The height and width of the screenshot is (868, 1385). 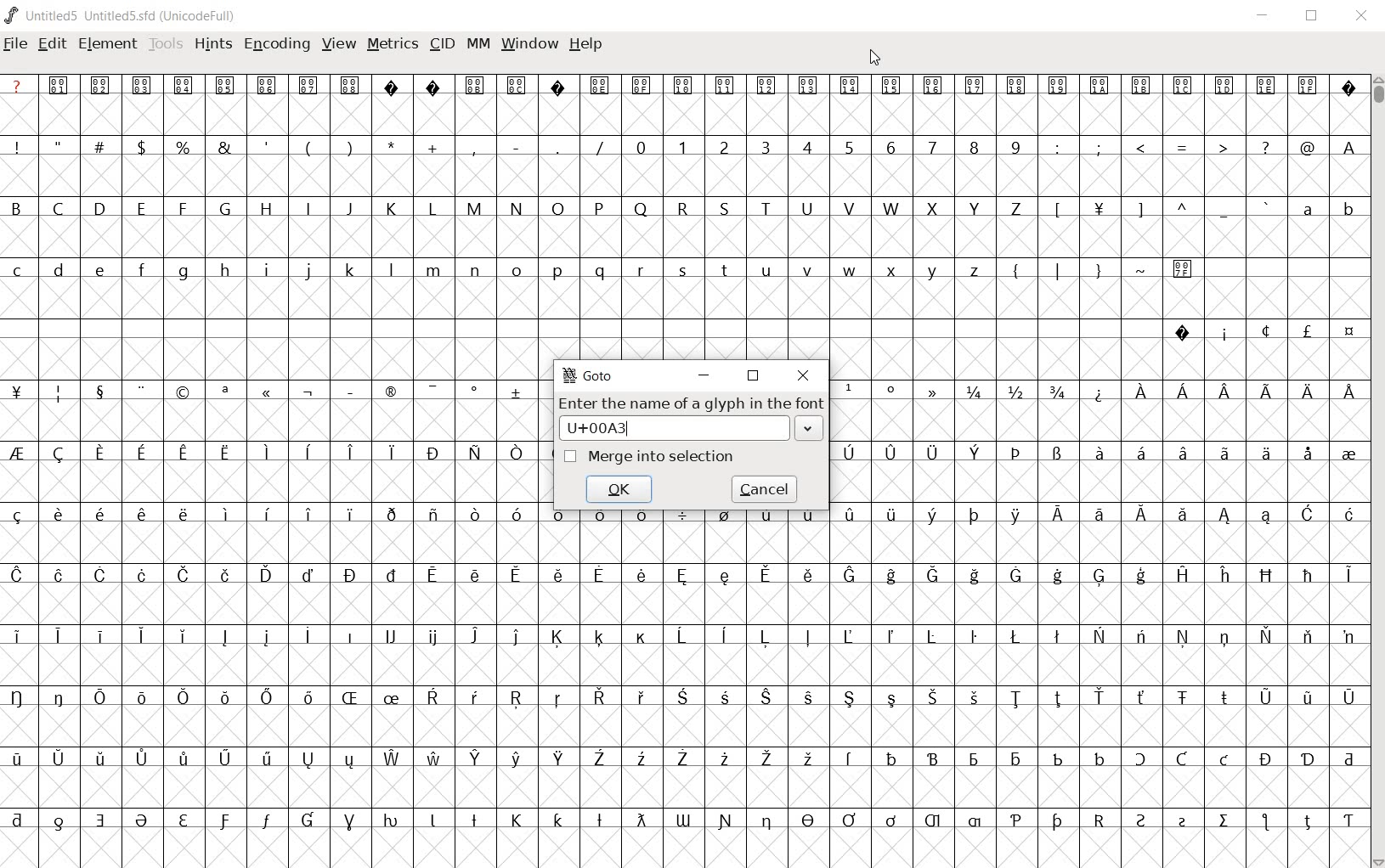 What do you see at coordinates (768, 85) in the screenshot?
I see `Symbol` at bounding box center [768, 85].